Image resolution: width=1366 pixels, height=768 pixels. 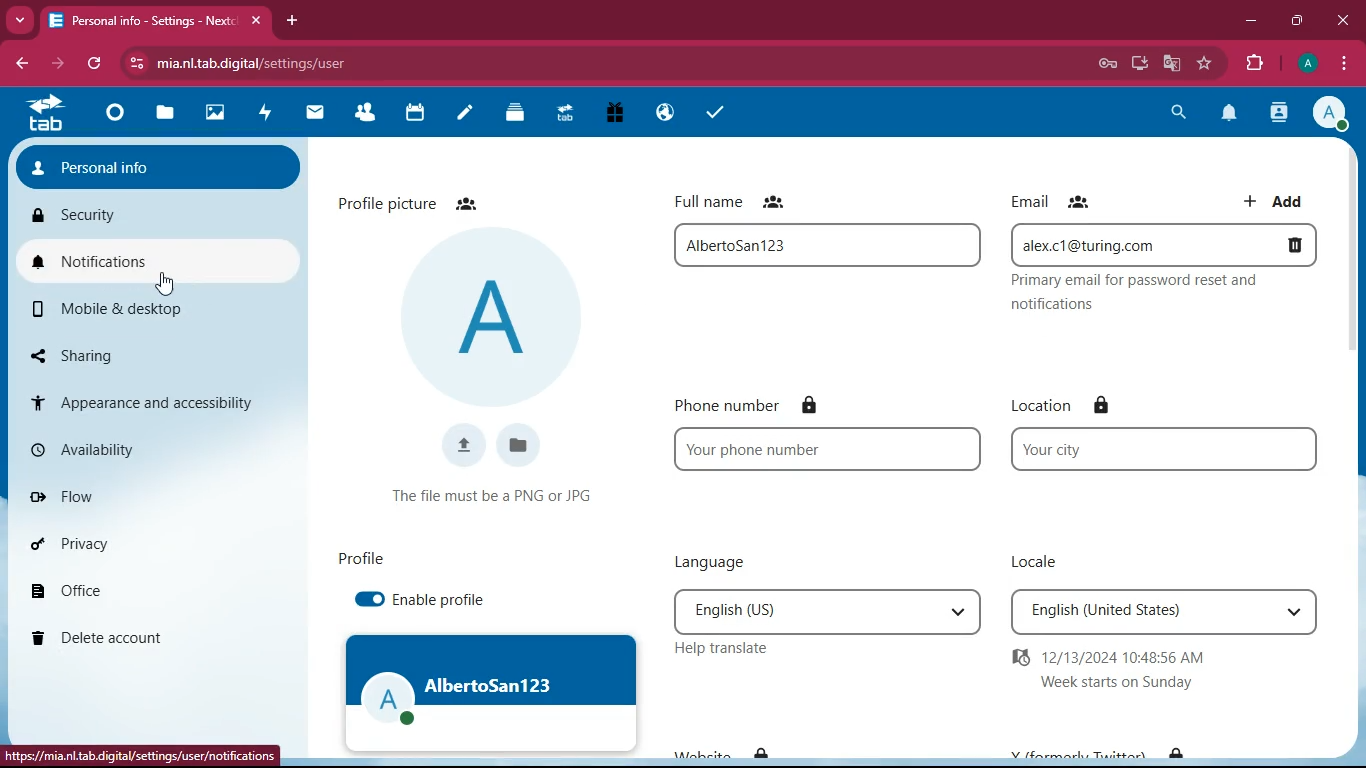 What do you see at coordinates (711, 560) in the screenshot?
I see `language` at bounding box center [711, 560].